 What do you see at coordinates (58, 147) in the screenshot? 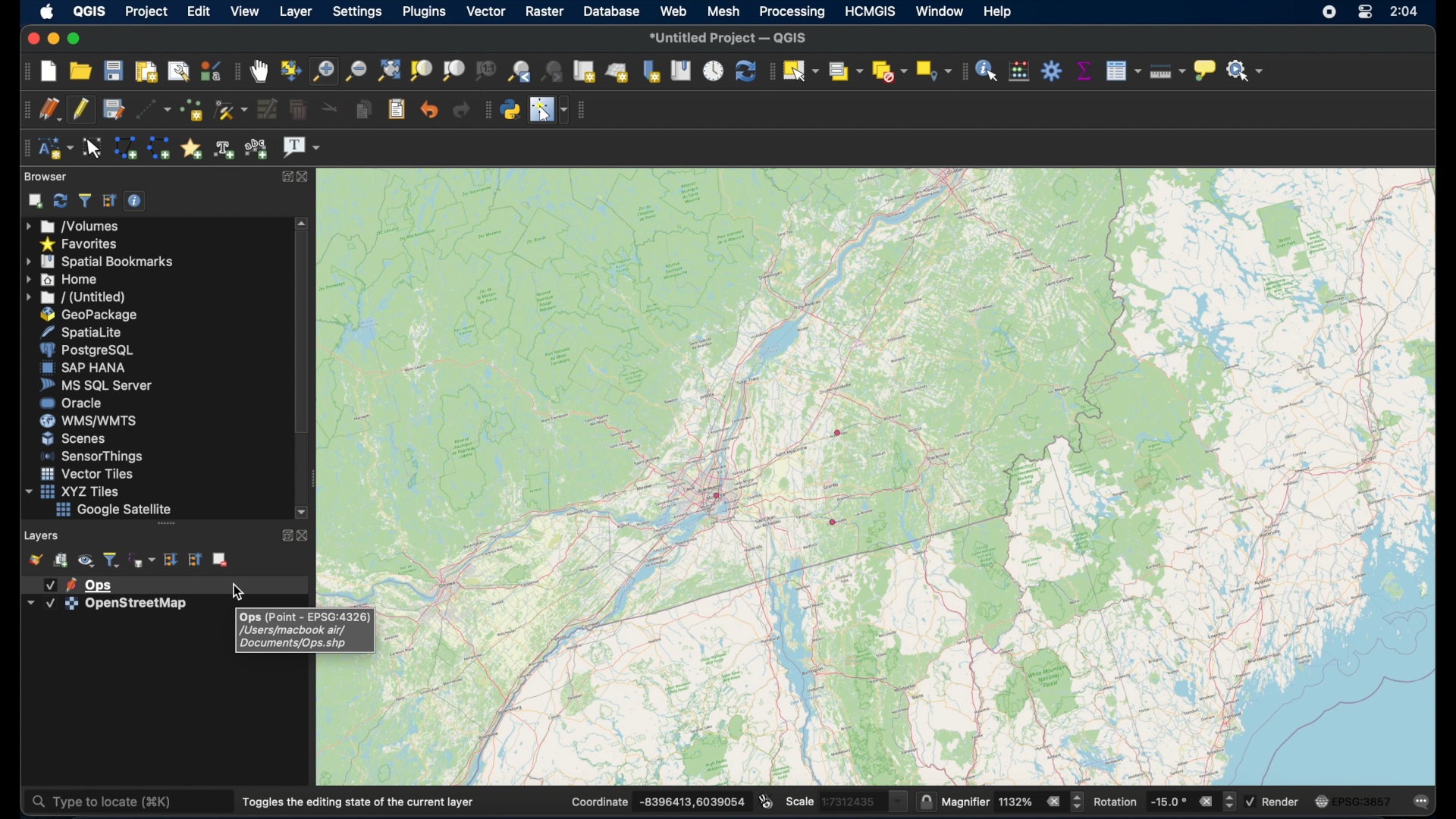
I see `new annotation layer` at bounding box center [58, 147].